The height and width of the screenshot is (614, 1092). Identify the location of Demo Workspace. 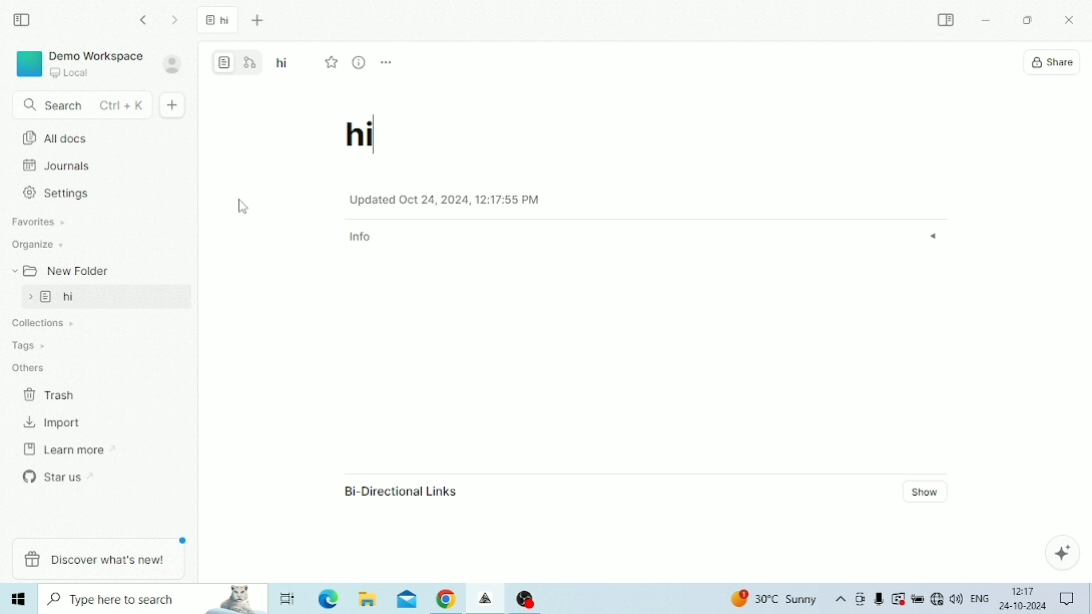
(79, 64).